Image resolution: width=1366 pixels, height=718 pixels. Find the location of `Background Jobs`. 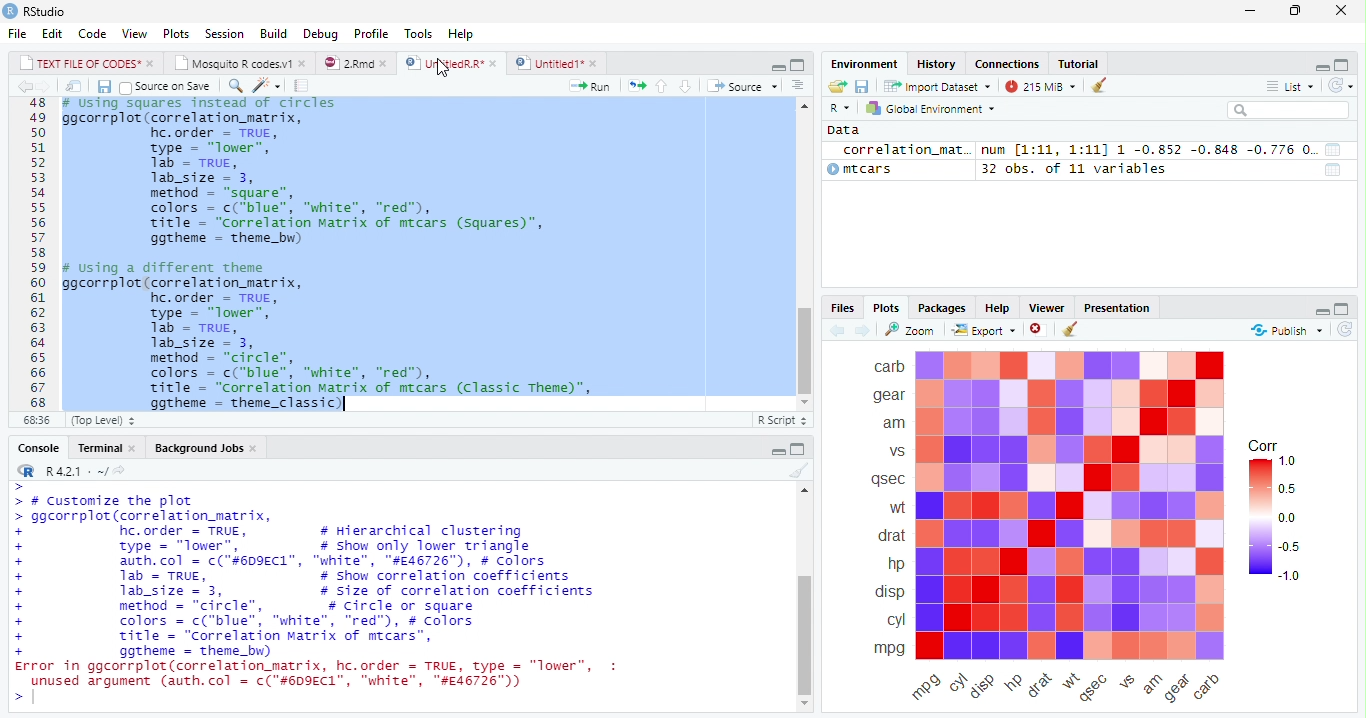

Background Jobs is located at coordinates (205, 450).